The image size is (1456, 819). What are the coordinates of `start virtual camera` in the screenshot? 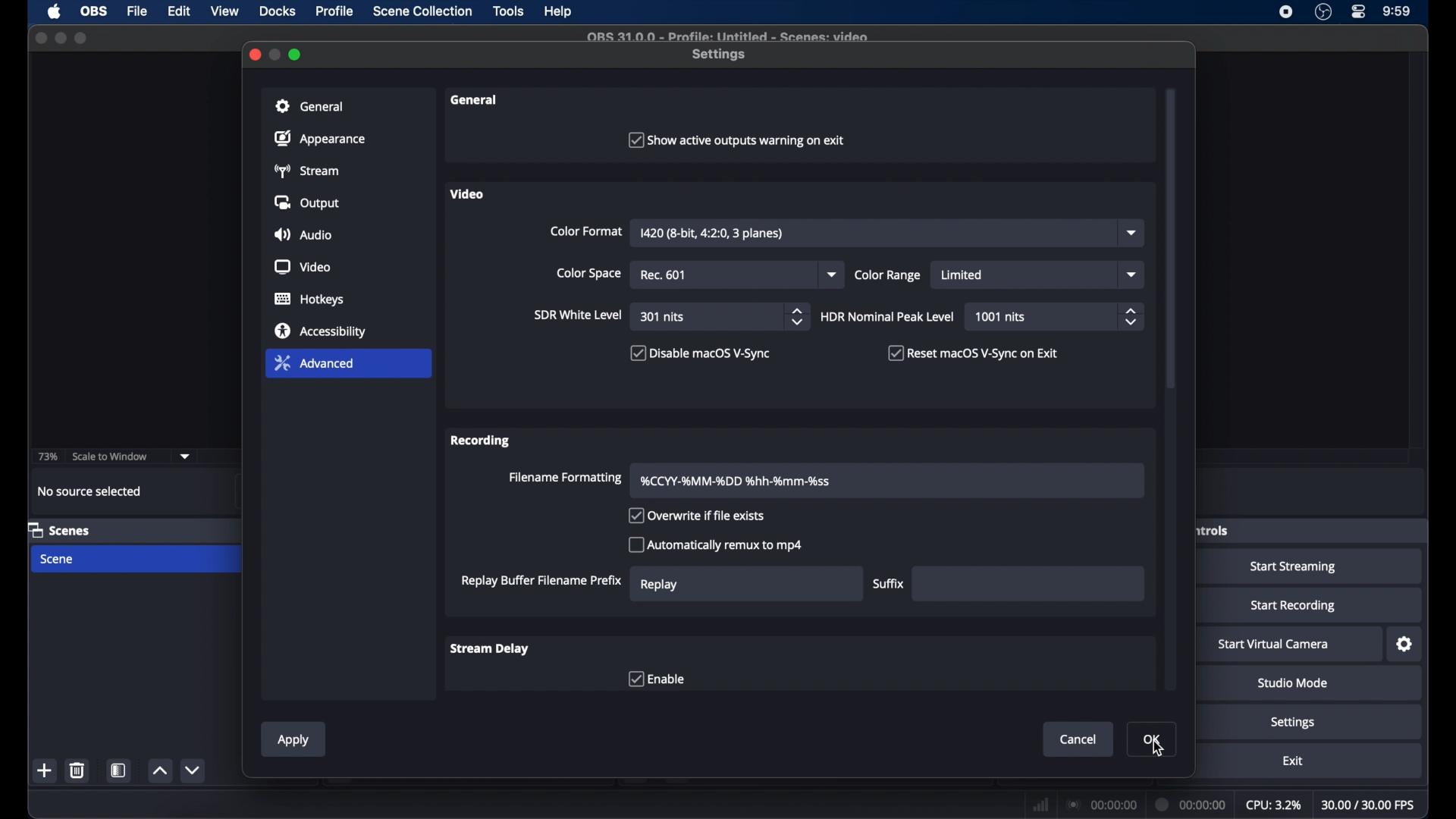 It's located at (1274, 645).